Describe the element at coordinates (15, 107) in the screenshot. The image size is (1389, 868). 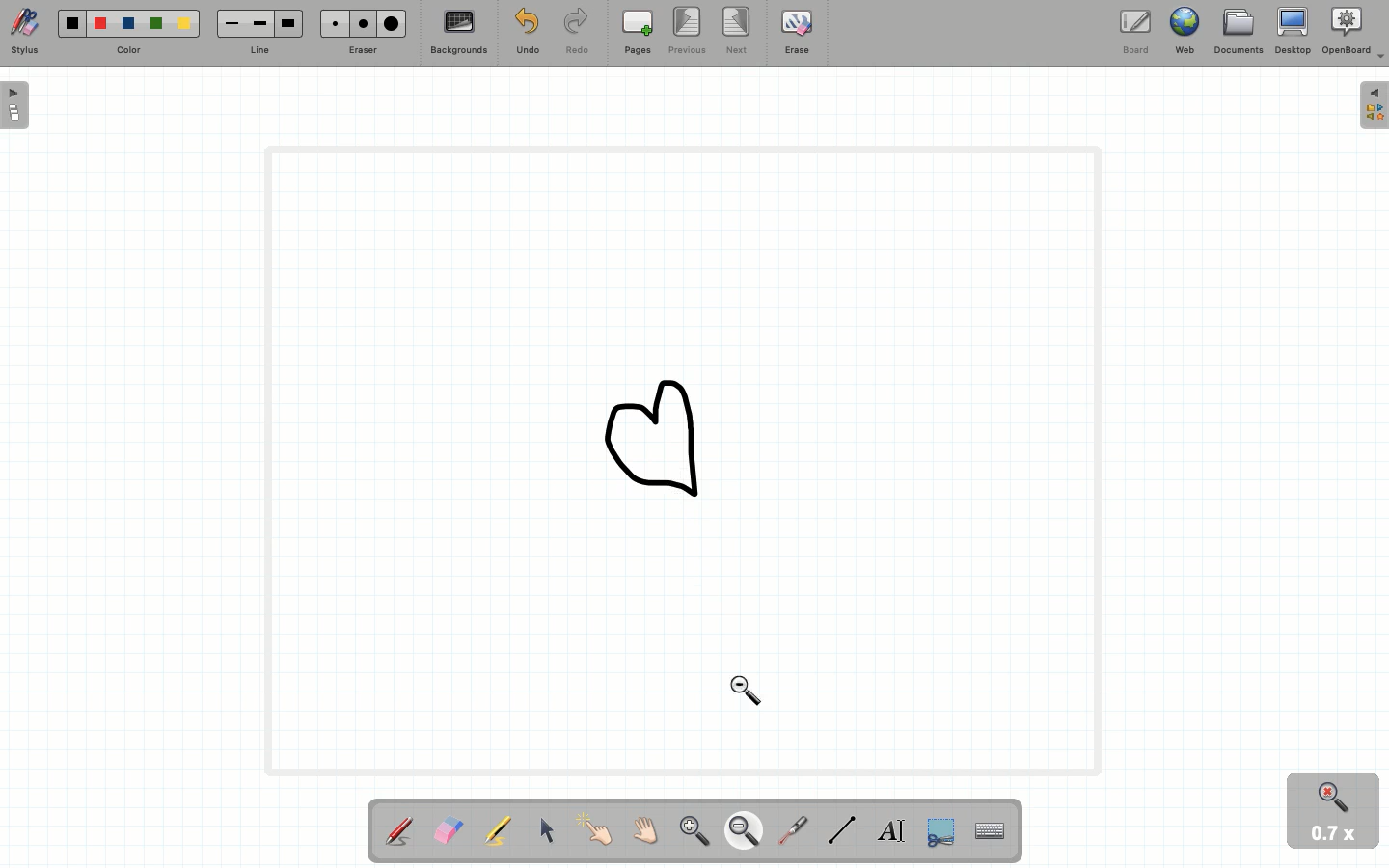
I see `Open board` at that location.